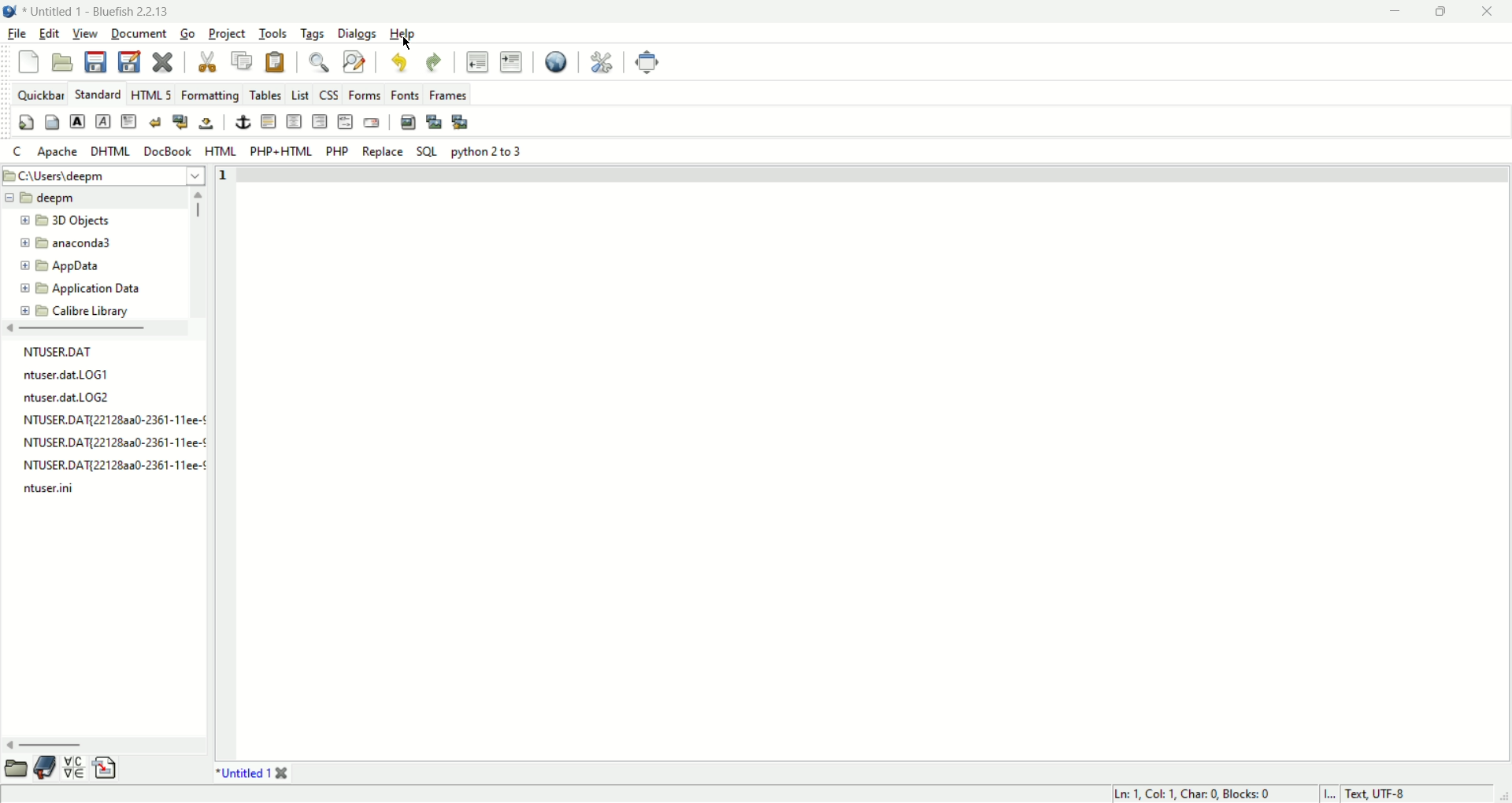  I want to click on document, so click(139, 35).